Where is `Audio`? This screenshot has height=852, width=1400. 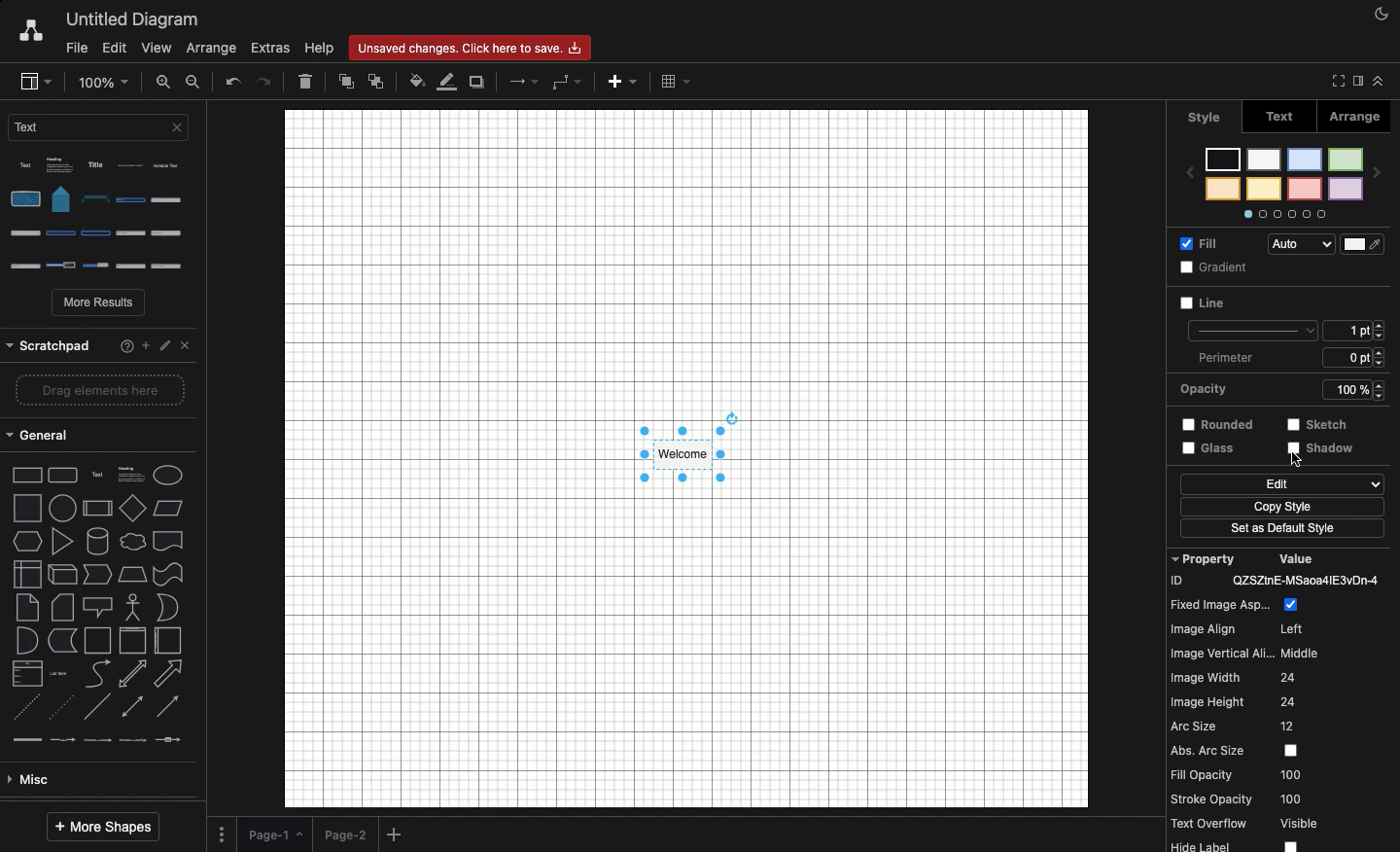
Audio is located at coordinates (1328, 241).